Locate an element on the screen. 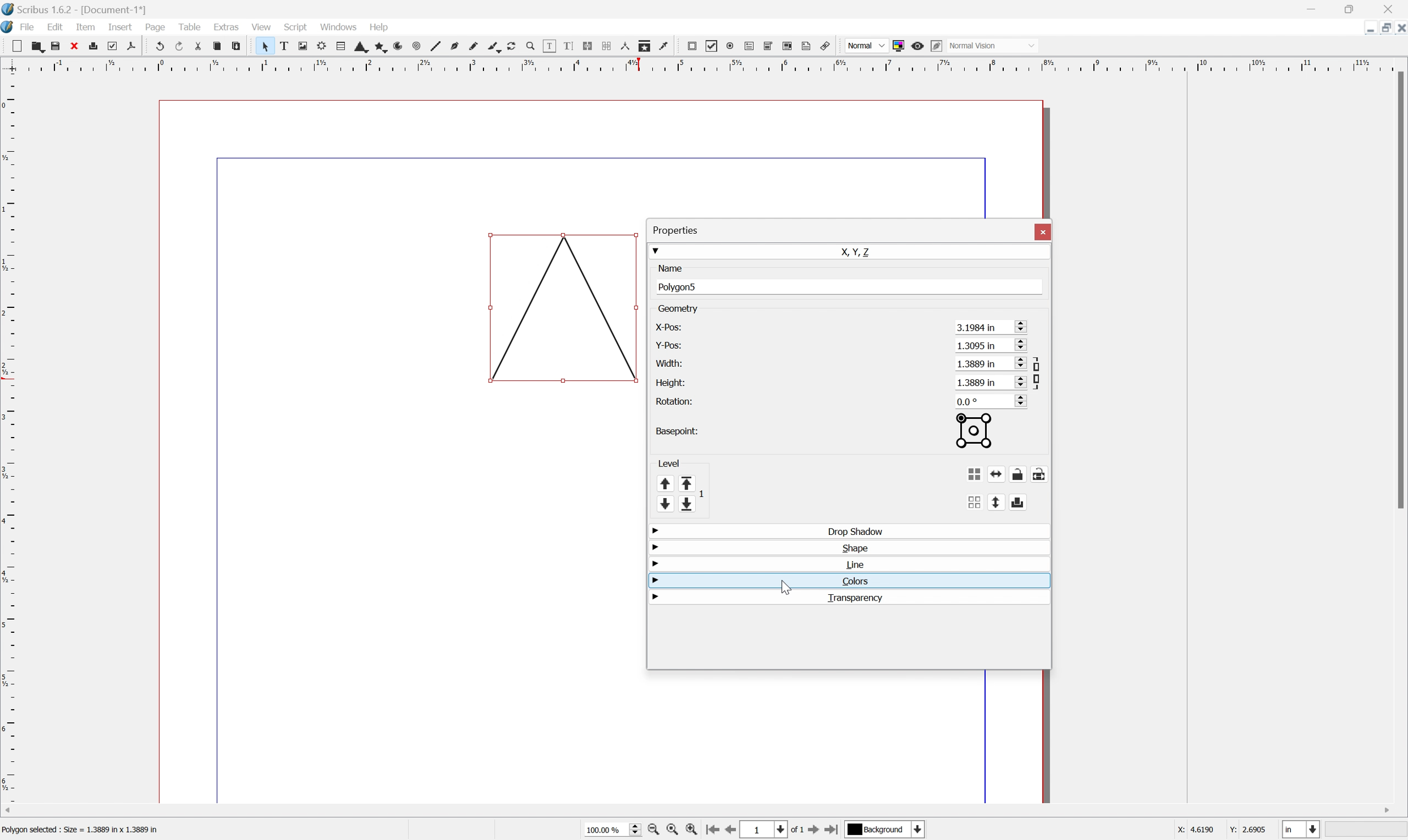 Image resolution: width=1408 pixels, height=840 pixels. Preview mode is located at coordinates (917, 46).